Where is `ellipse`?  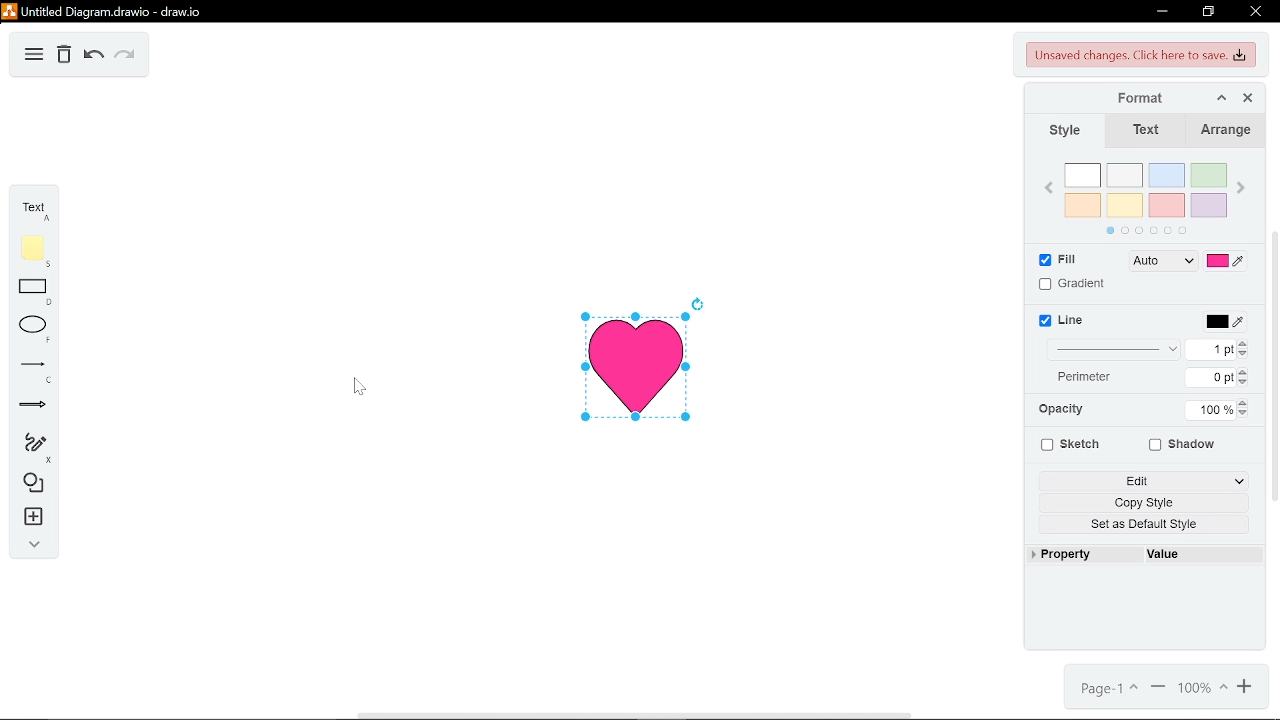
ellipse is located at coordinates (34, 329).